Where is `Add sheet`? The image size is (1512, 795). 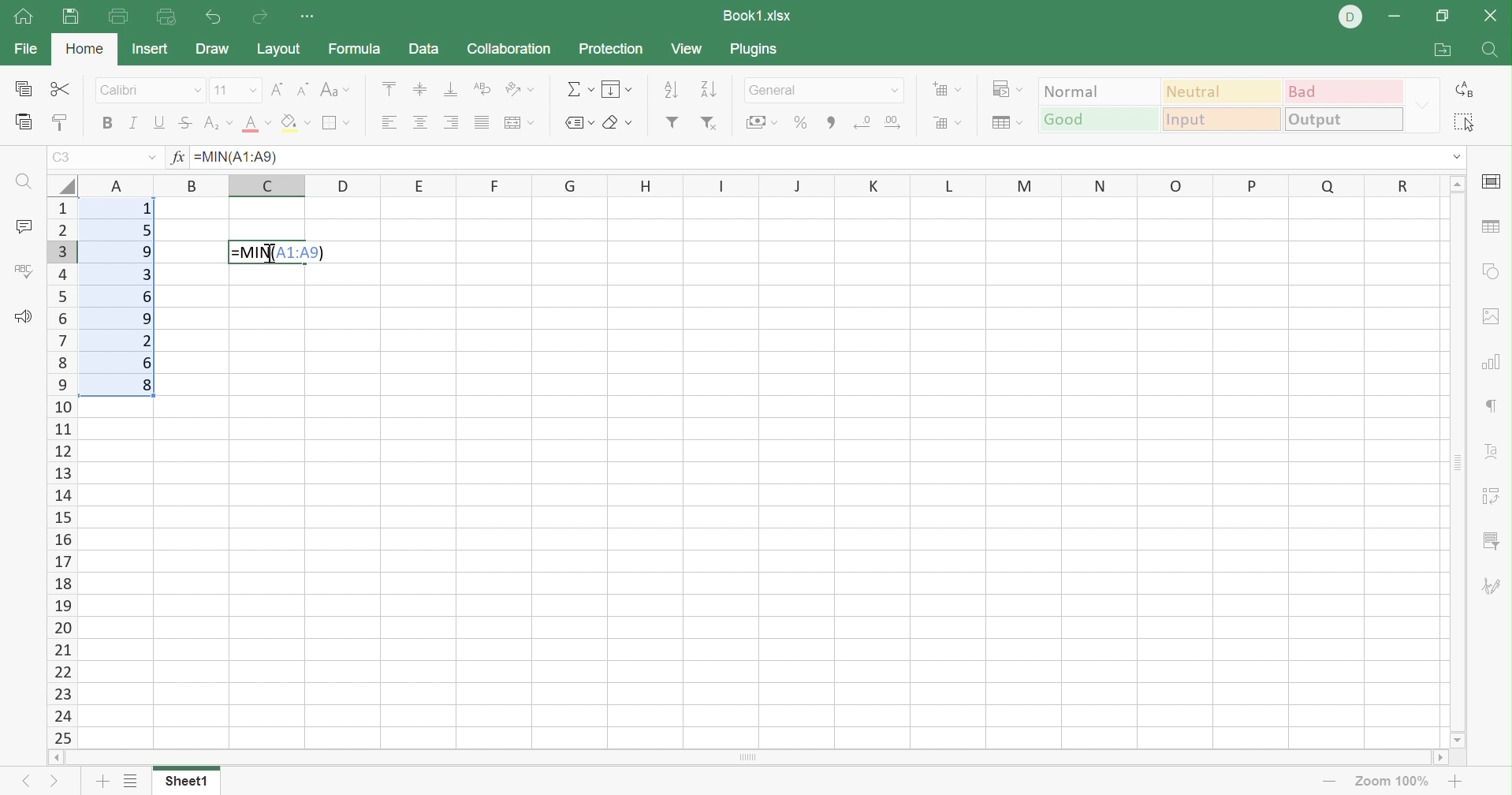
Add sheet is located at coordinates (101, 781).